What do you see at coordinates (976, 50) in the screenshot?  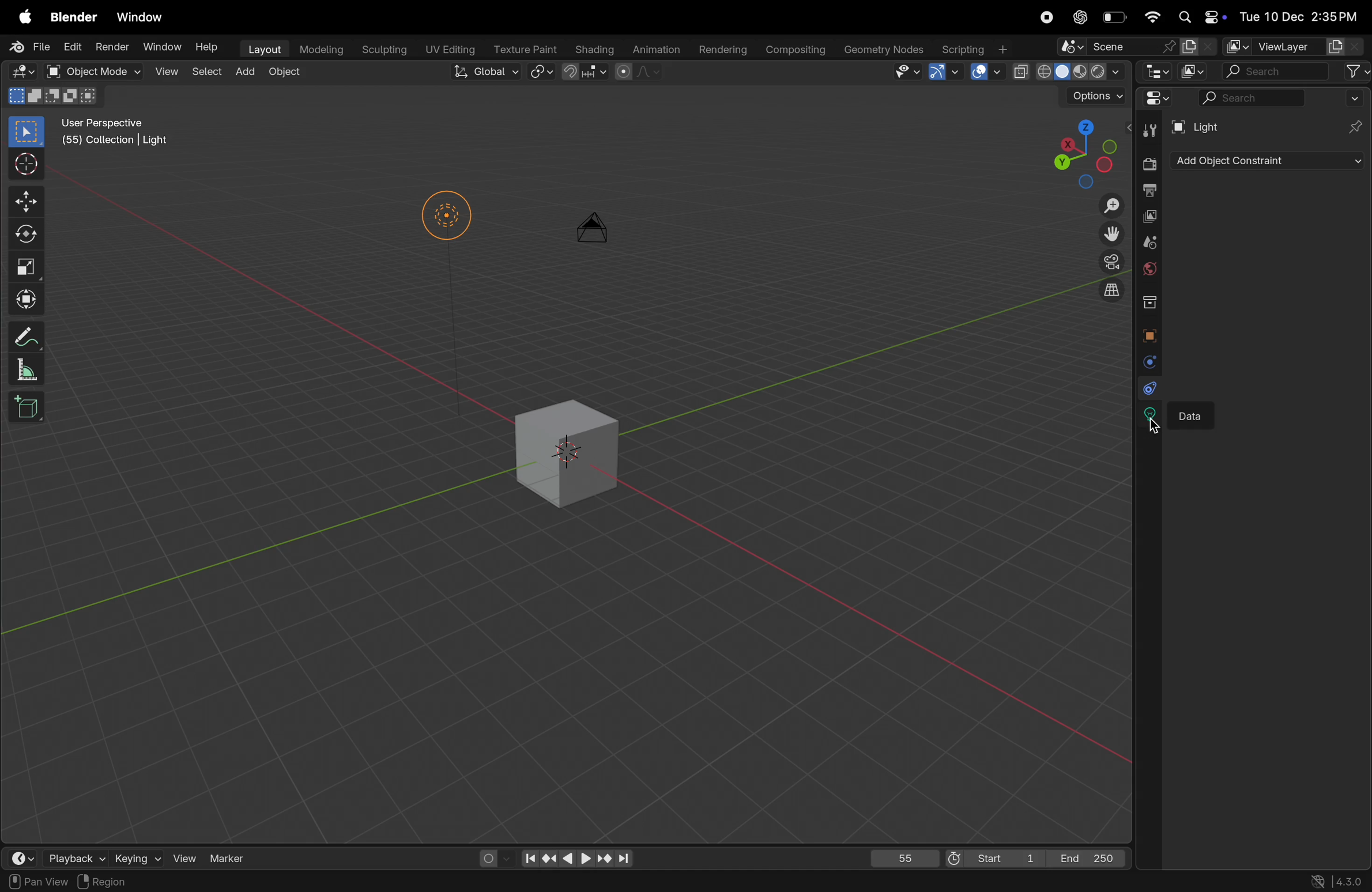 I see `scripting` at bounding box center [976, 50].